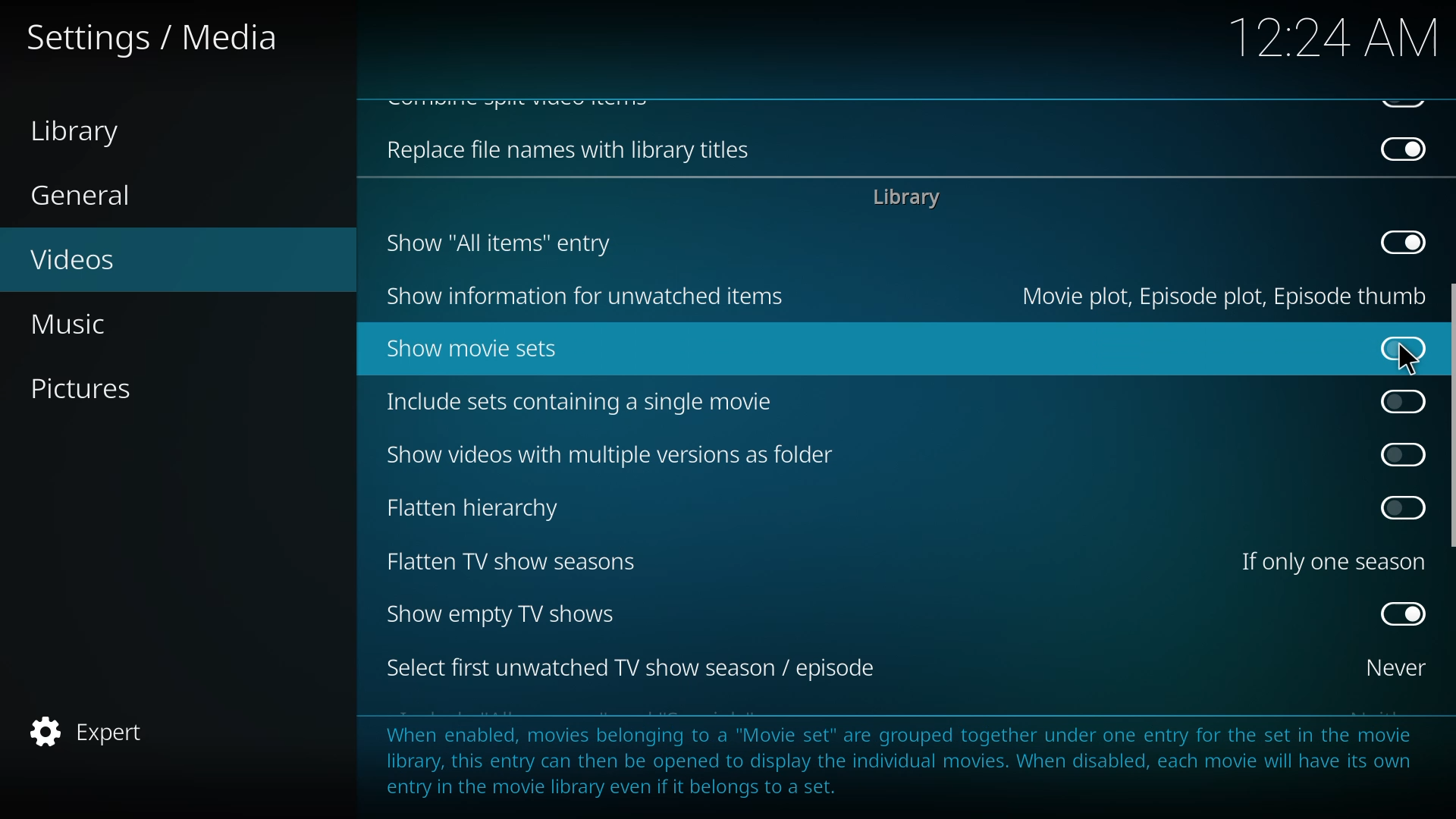 The height and width of the screenshot is (819, 1456). What do you see at coordinates (74, 260) in the screenshot?
I see `videos` at bounding box center [74, 260].